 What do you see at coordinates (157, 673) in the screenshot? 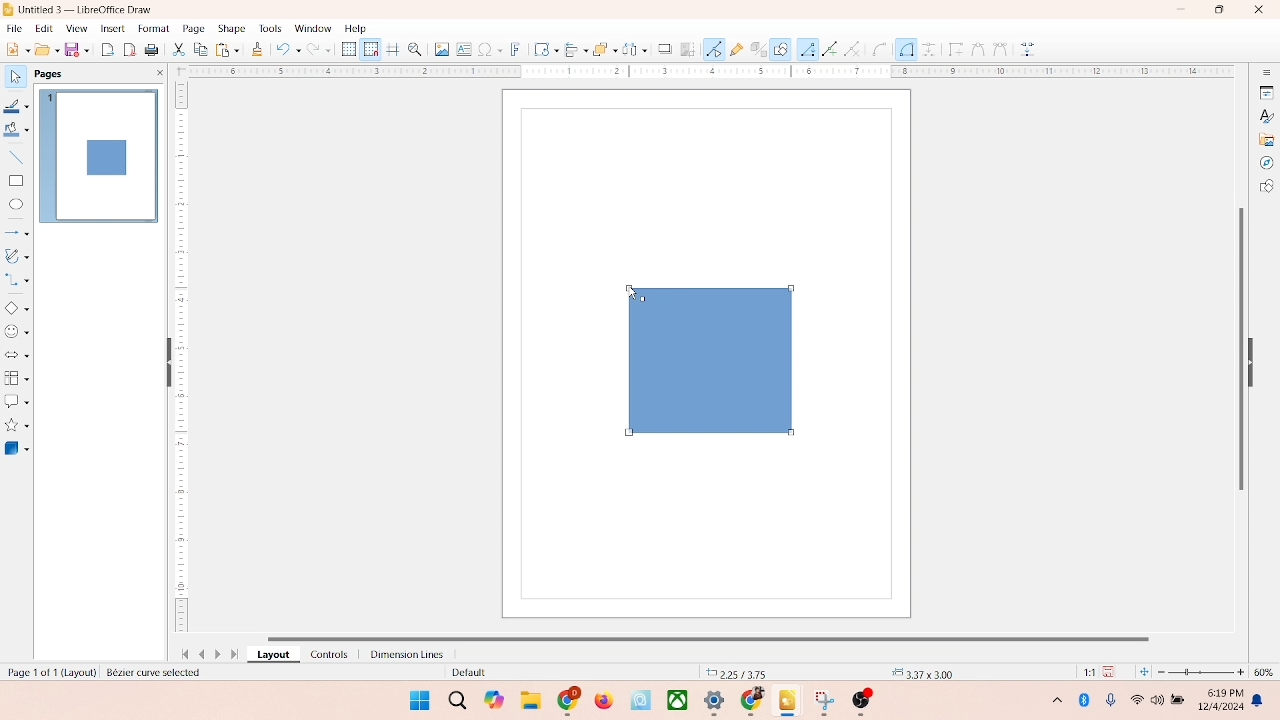
I see `selected` at bounding box center [157, 673].